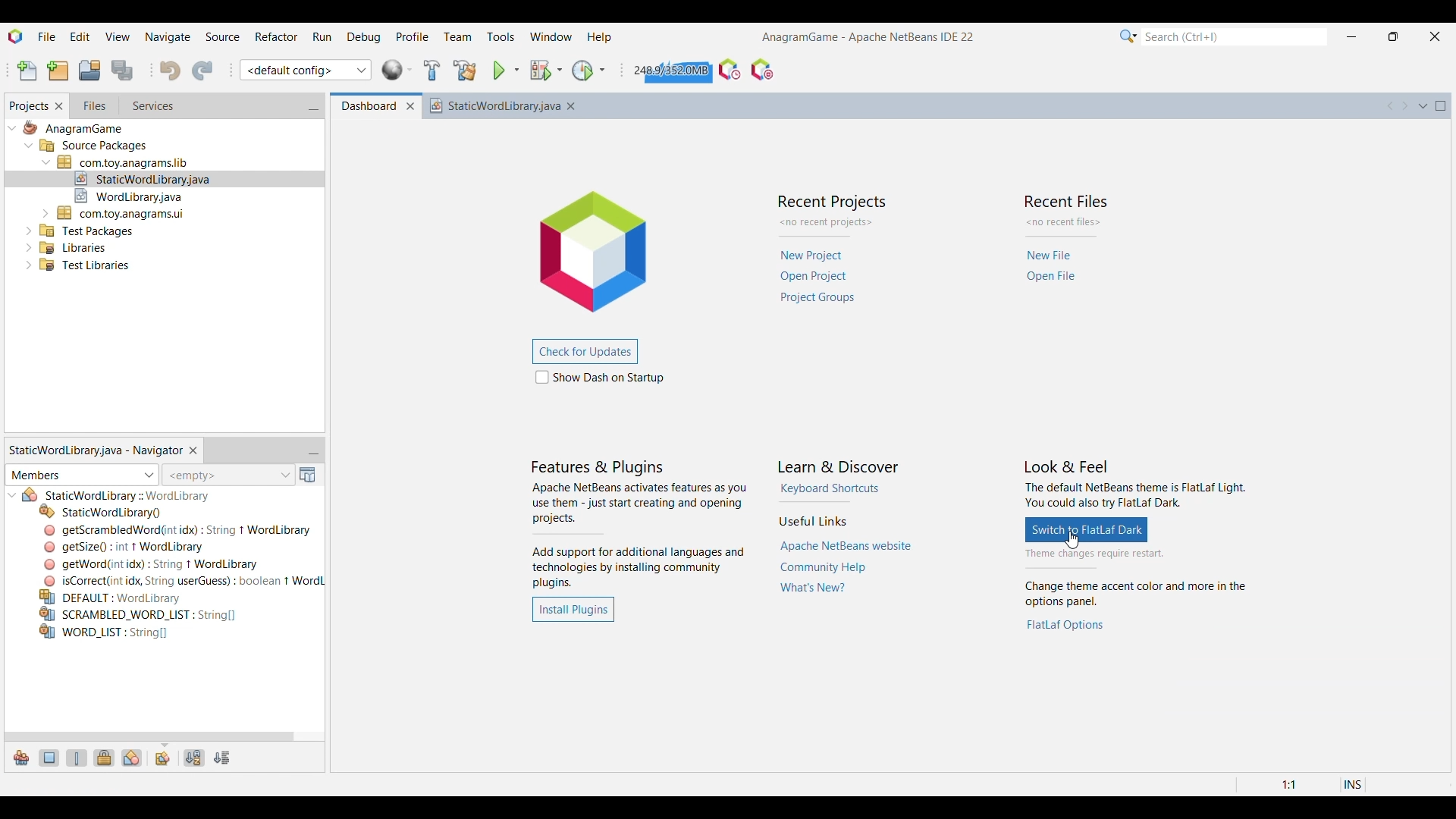 The width and height of the screenshot is (1456, 819). Describe the element at coordinates (82, 475) in the screenshot. I see `Members/Bean patterns` at that location.